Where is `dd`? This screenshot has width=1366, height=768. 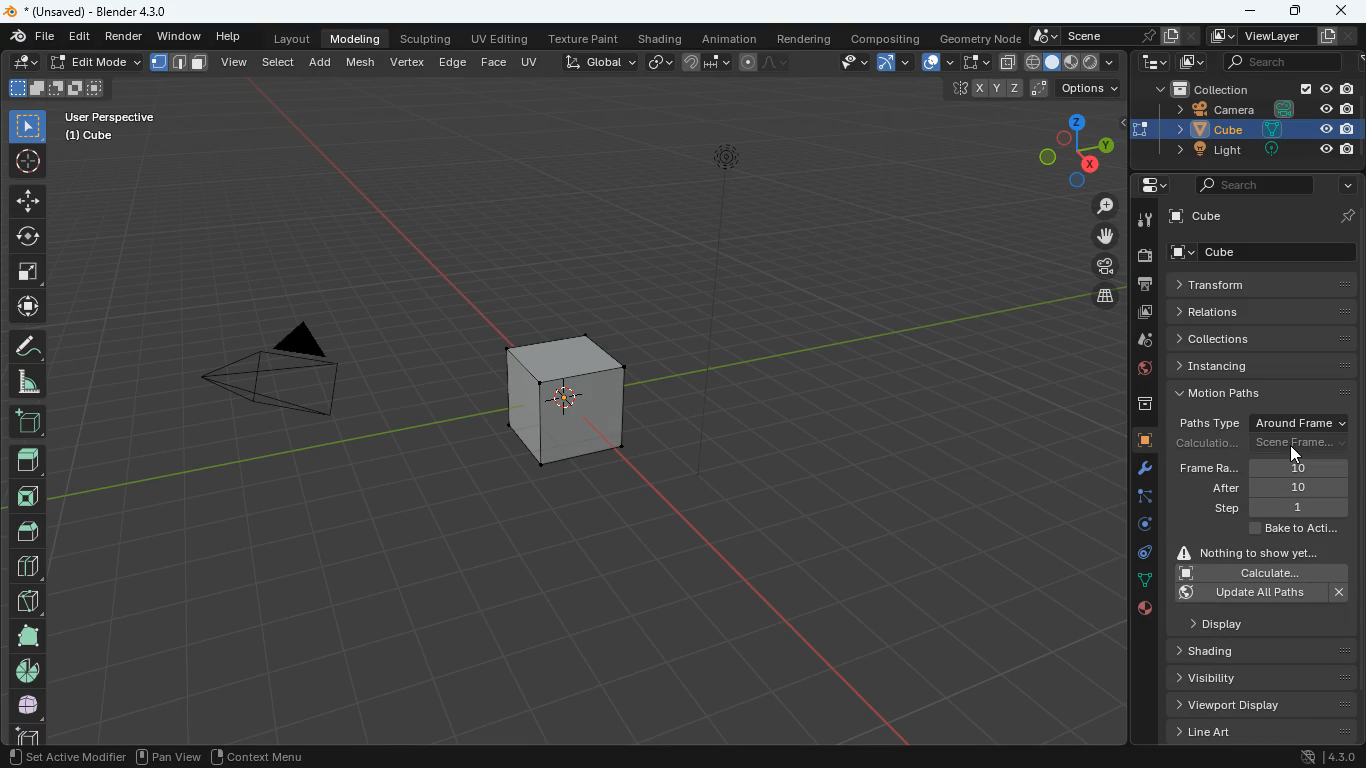 dd is located at coordinates (27, 420).